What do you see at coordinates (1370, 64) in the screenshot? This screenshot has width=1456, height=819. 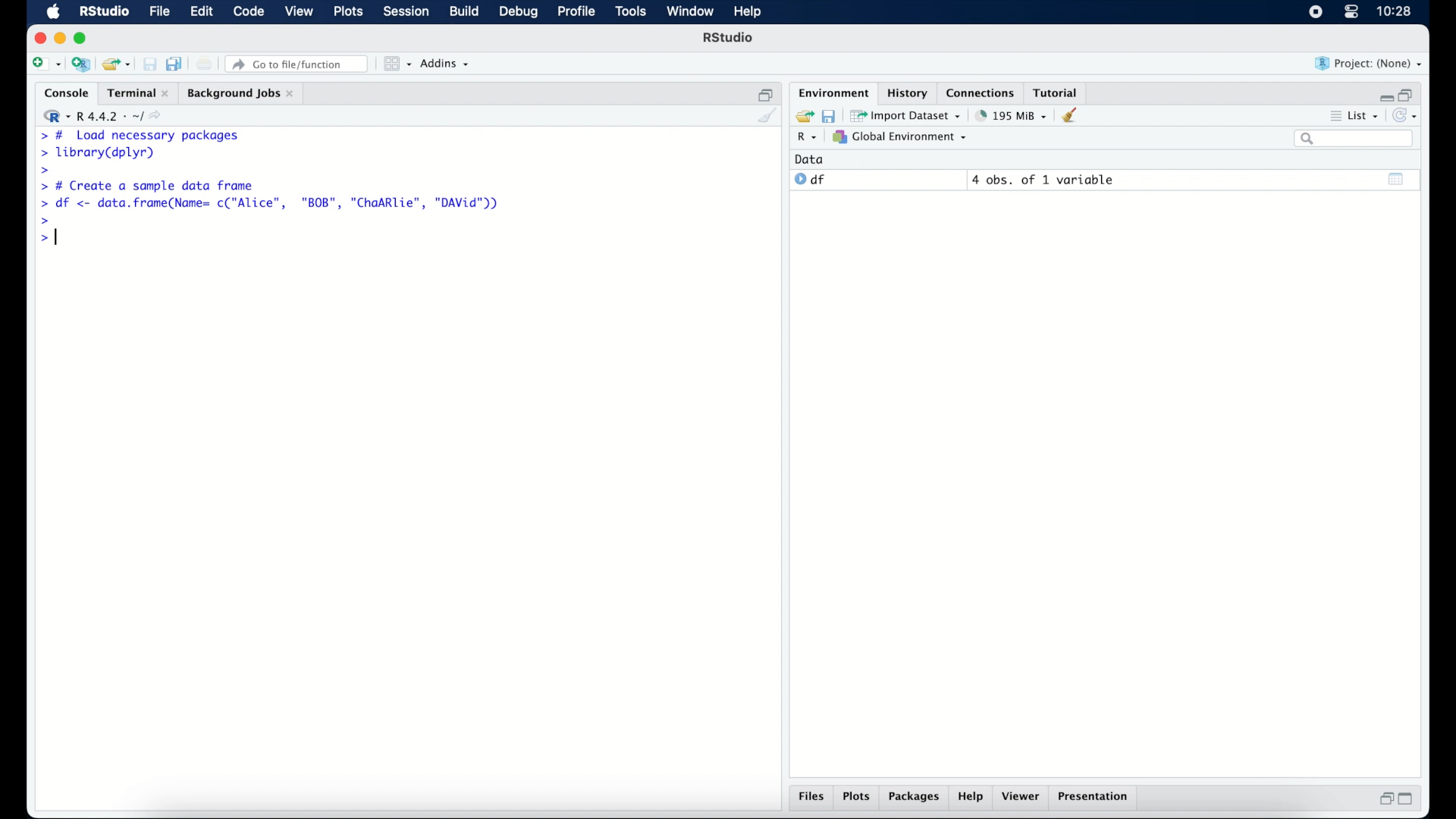 I see `project (none)` at bounding box center [1370, 64].